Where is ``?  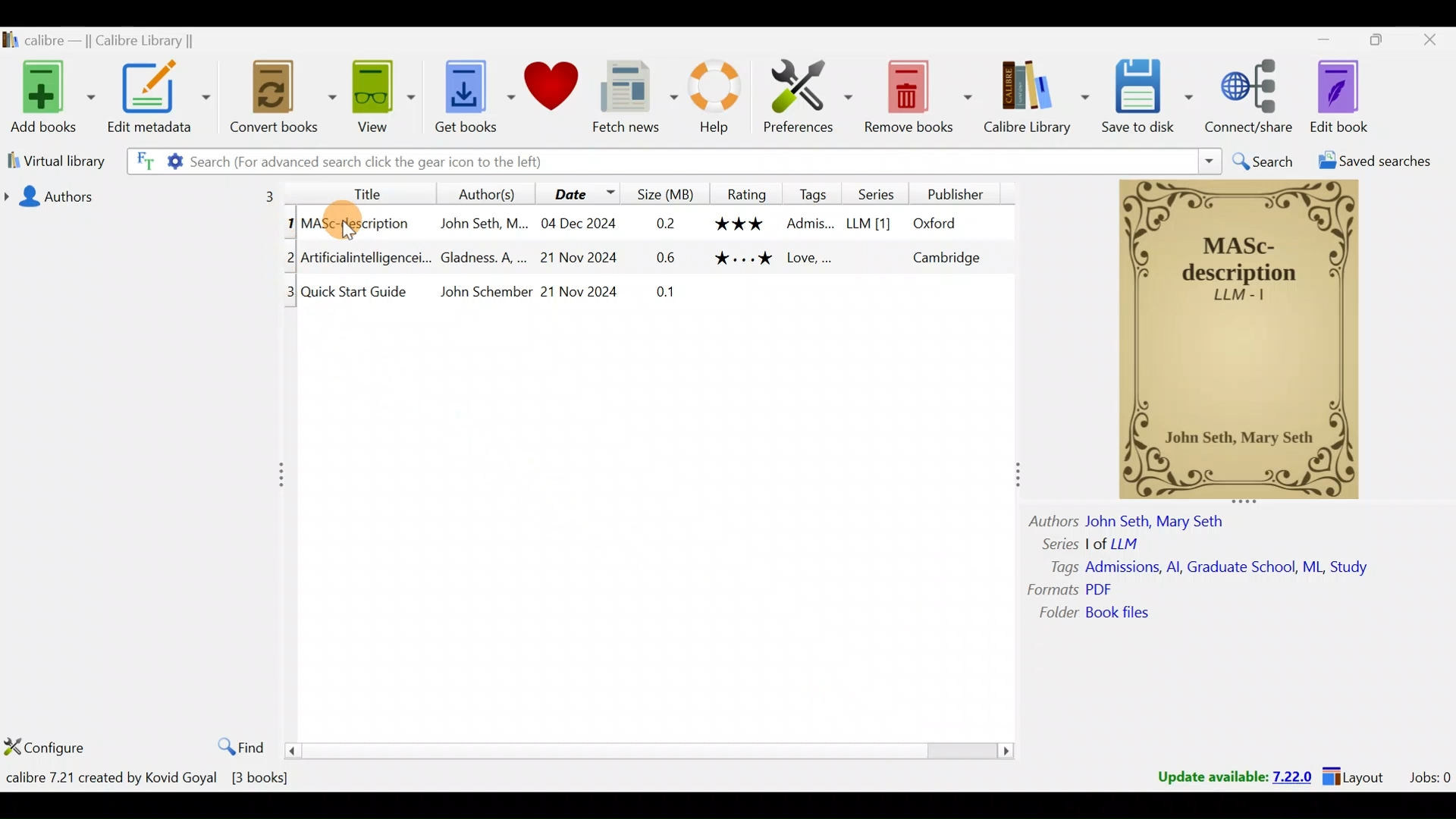  is located at coordinates (1230, 566).